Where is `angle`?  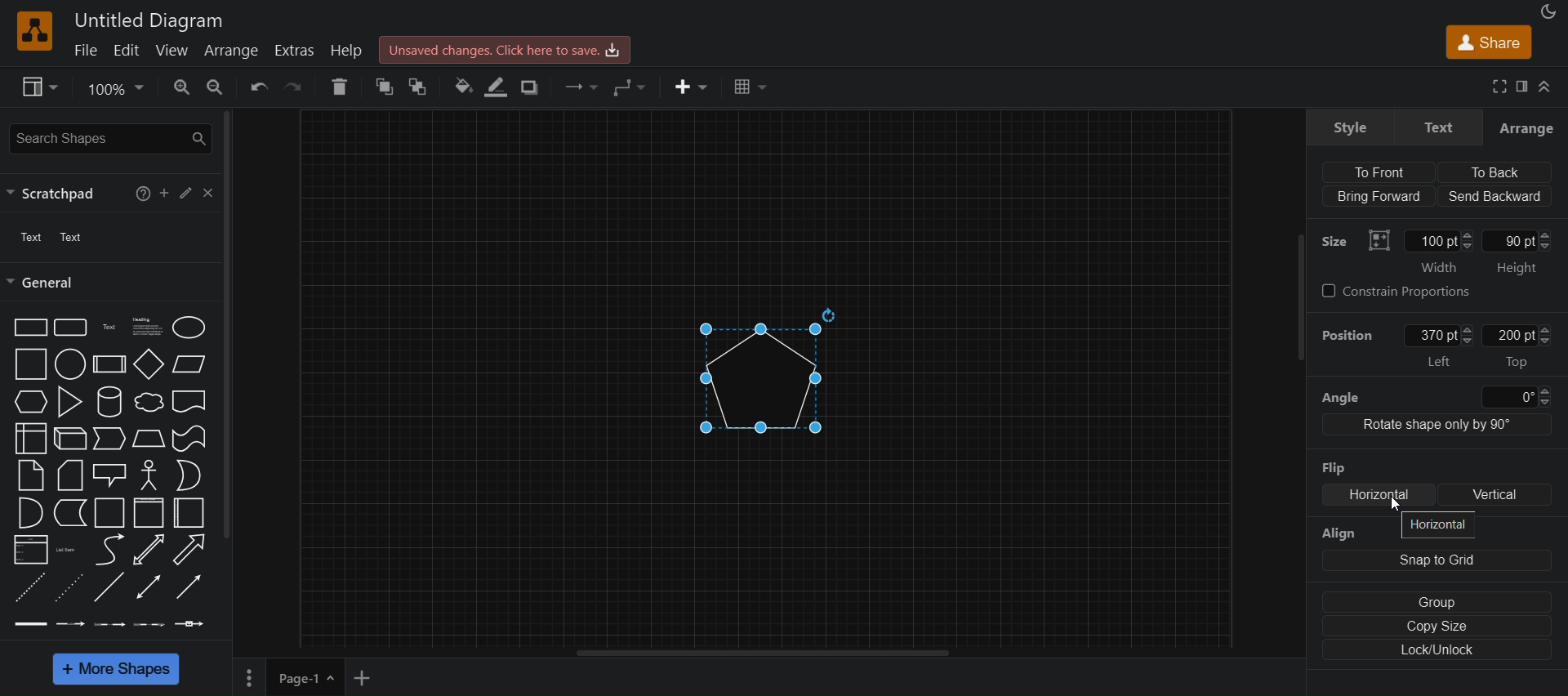
angle is located at coordinates (1341, 399).